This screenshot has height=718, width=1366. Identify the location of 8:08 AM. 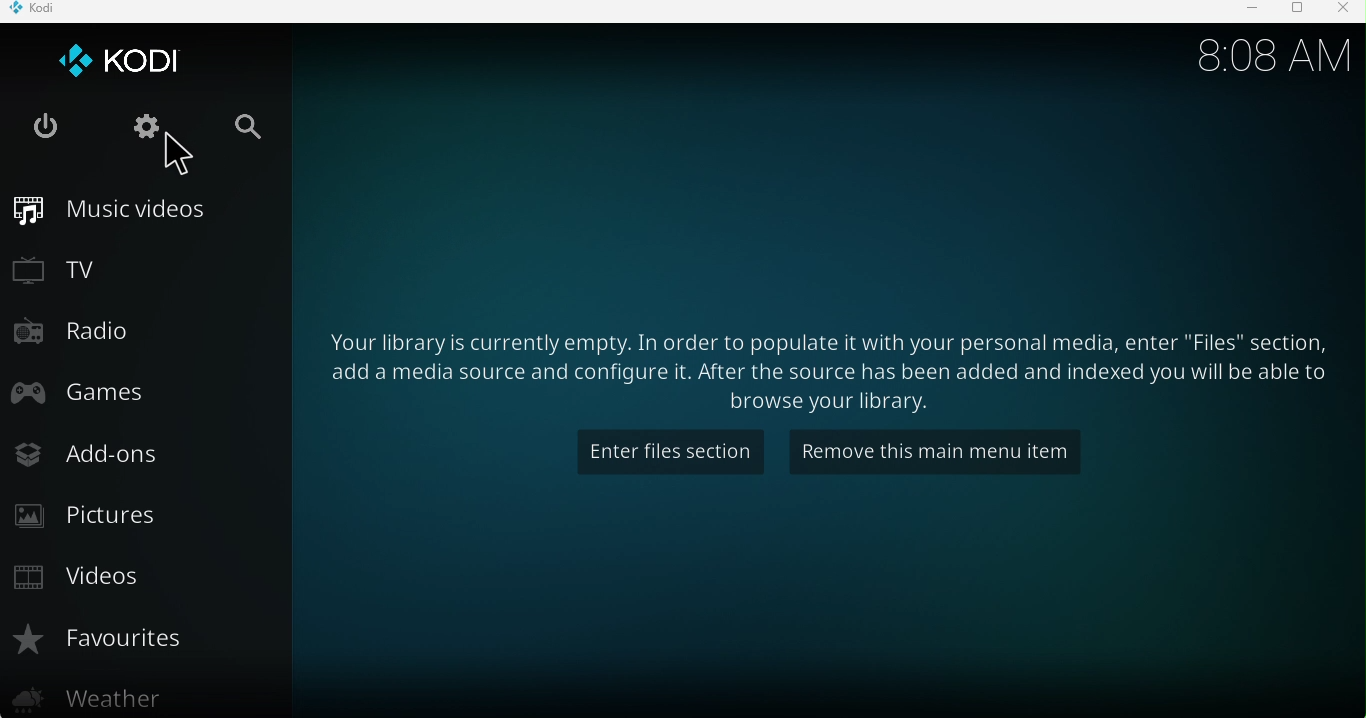
(1277, 60).